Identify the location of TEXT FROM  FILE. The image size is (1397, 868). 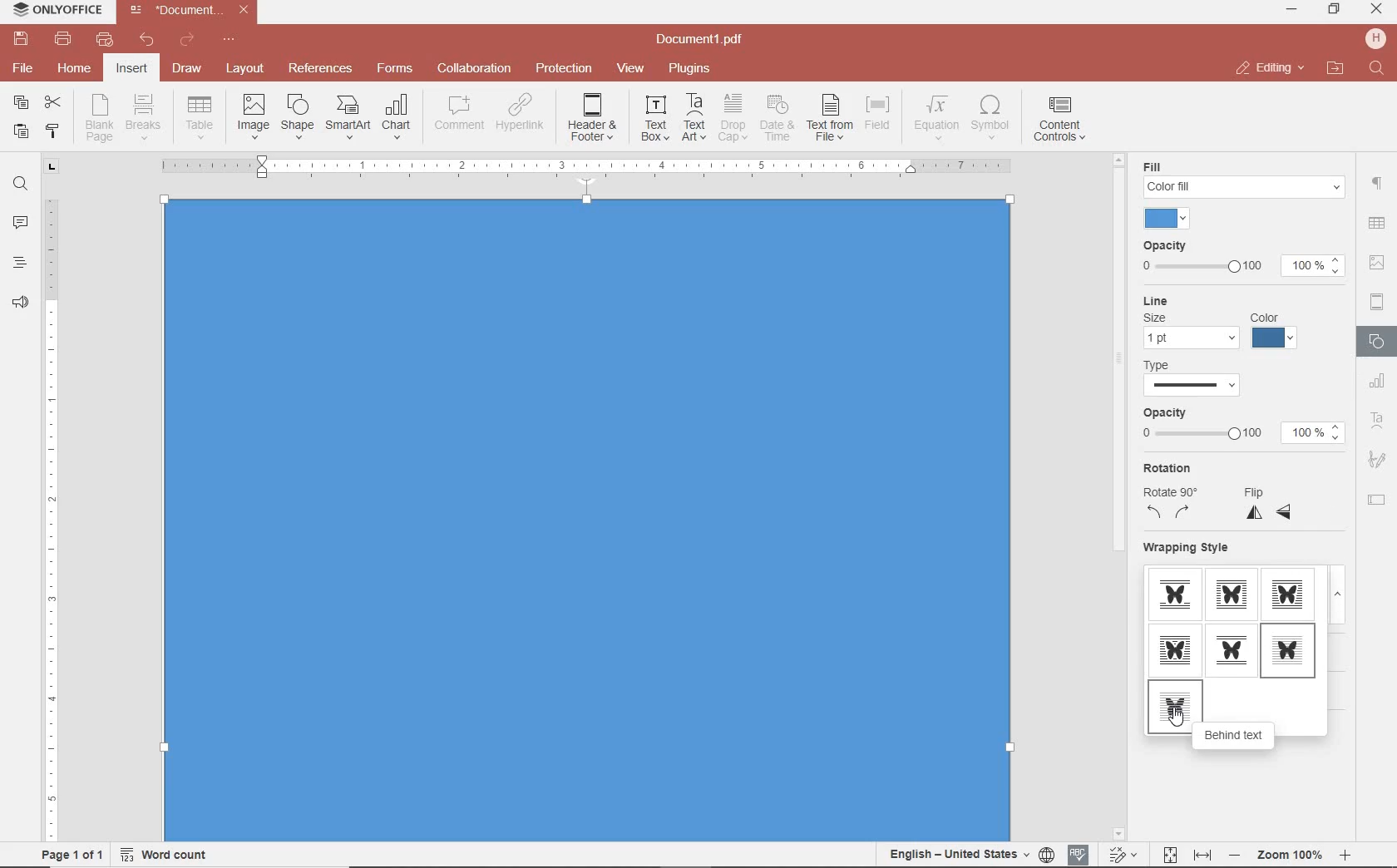
(830, 118).